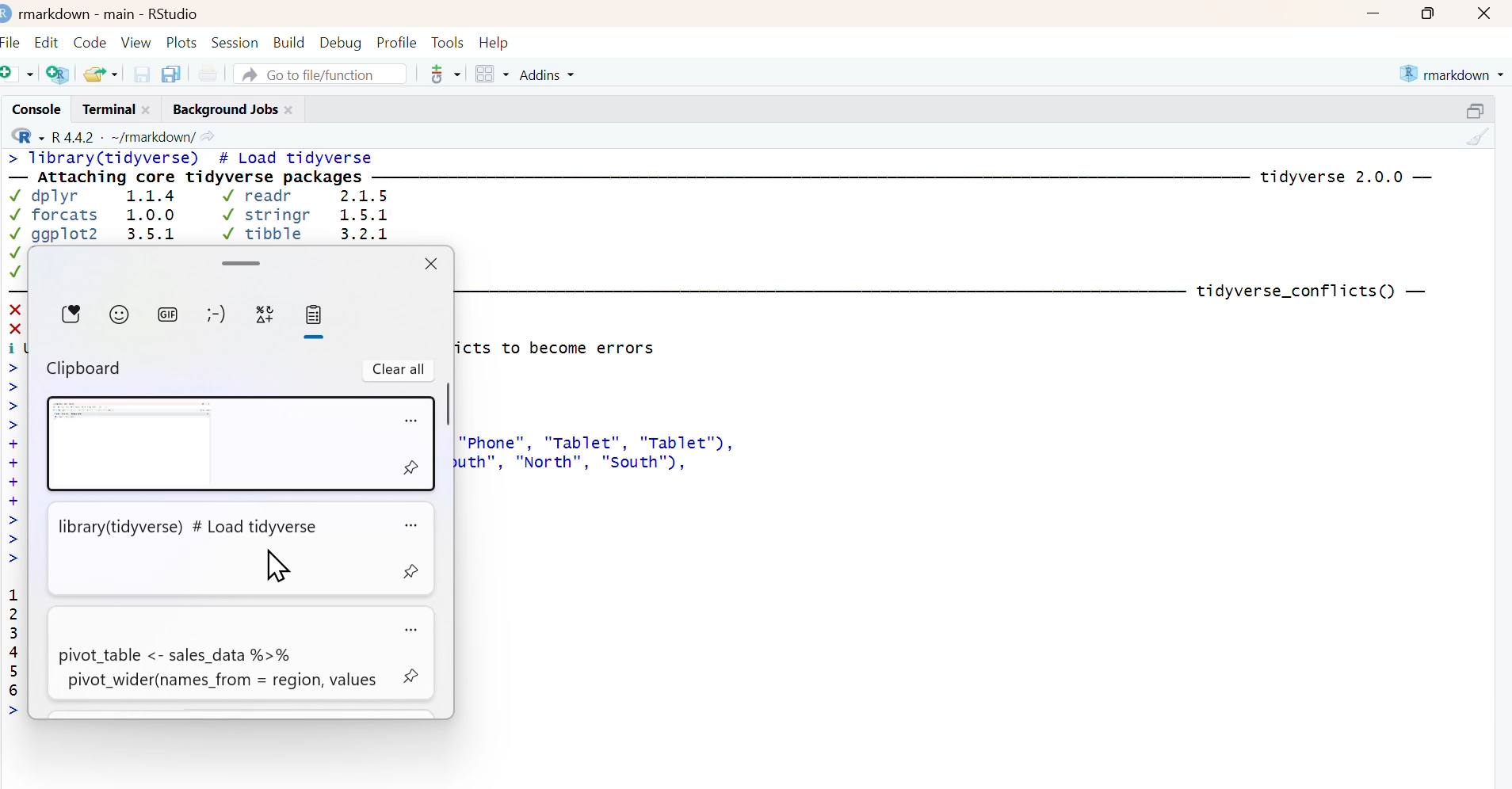 The width and height of the screenshot is (1512, 789). I want to click on RStudio, so click(174, 12).